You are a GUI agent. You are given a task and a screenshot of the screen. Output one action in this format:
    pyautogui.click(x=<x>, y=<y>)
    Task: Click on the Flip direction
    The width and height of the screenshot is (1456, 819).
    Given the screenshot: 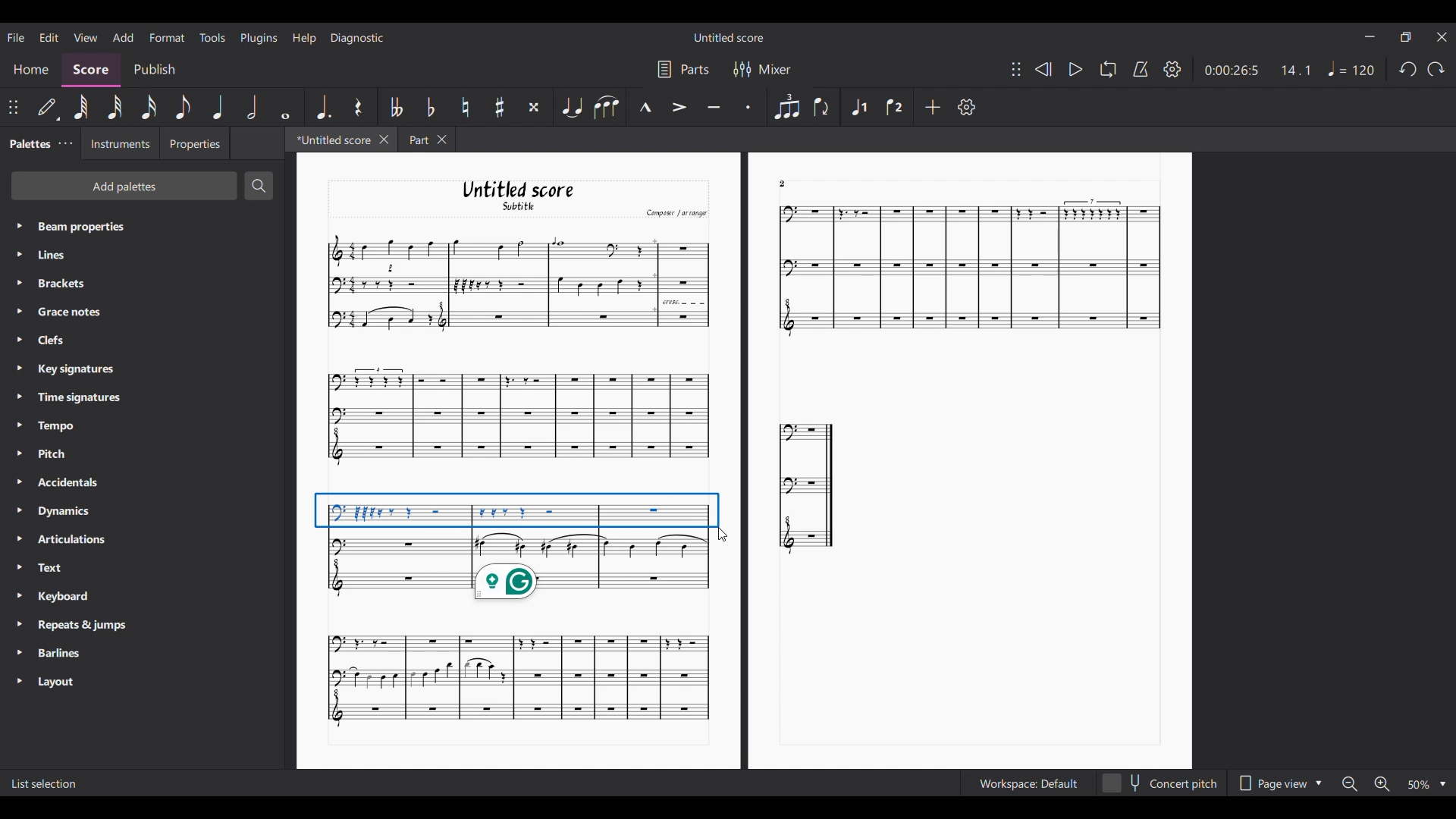 What is the action you would take?
    pyautogui.click(x=822, y=106)
    